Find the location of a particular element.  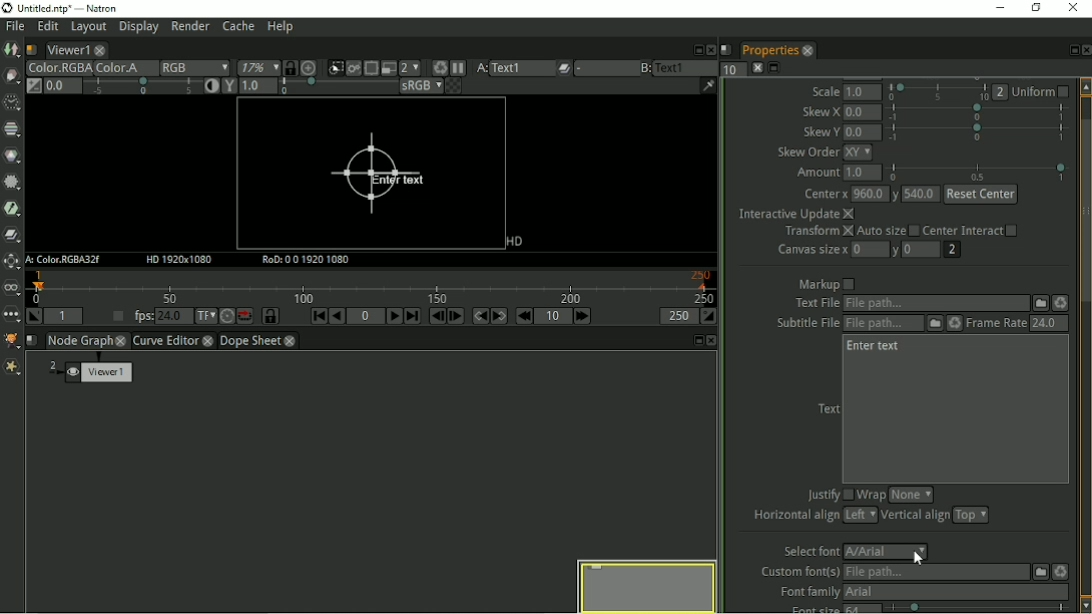

Synchronize viewers is located at coordinates (289, 66).